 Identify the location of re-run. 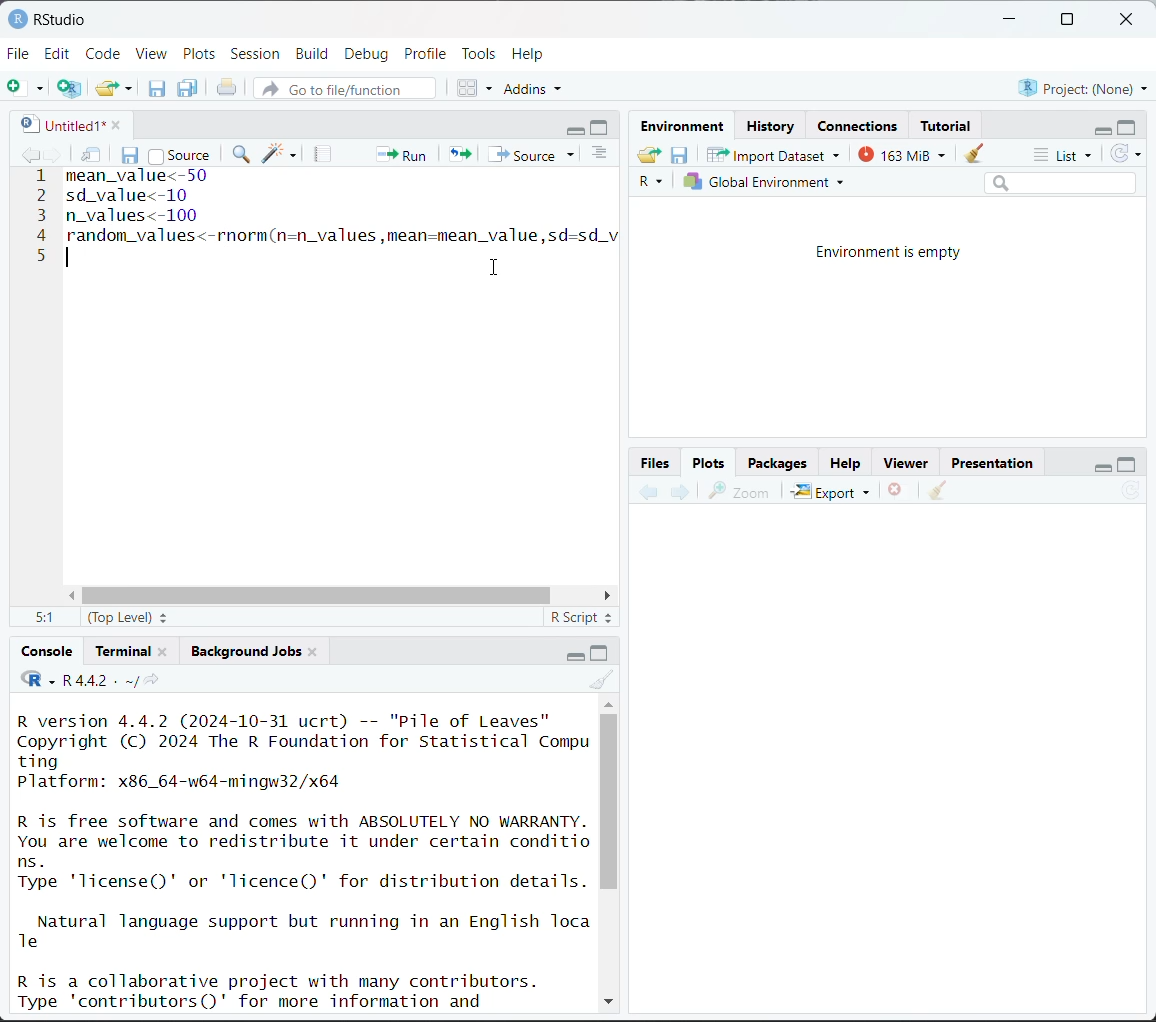
(458, 153).